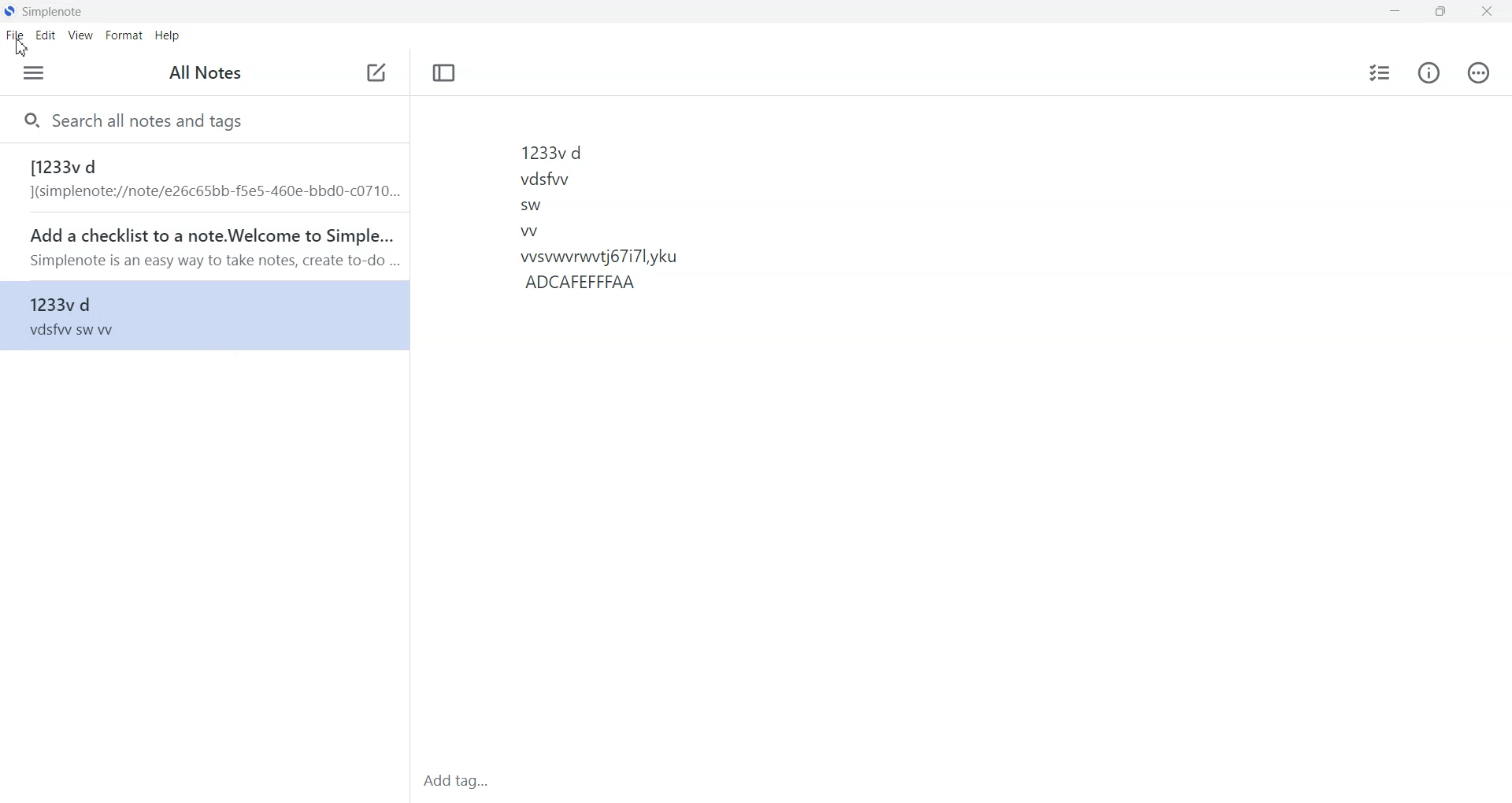 The height and width of the screenshot is (803, 1512). Describe the element at coordinates (1429, 72) in the screenshot. I see `Info` at that location.